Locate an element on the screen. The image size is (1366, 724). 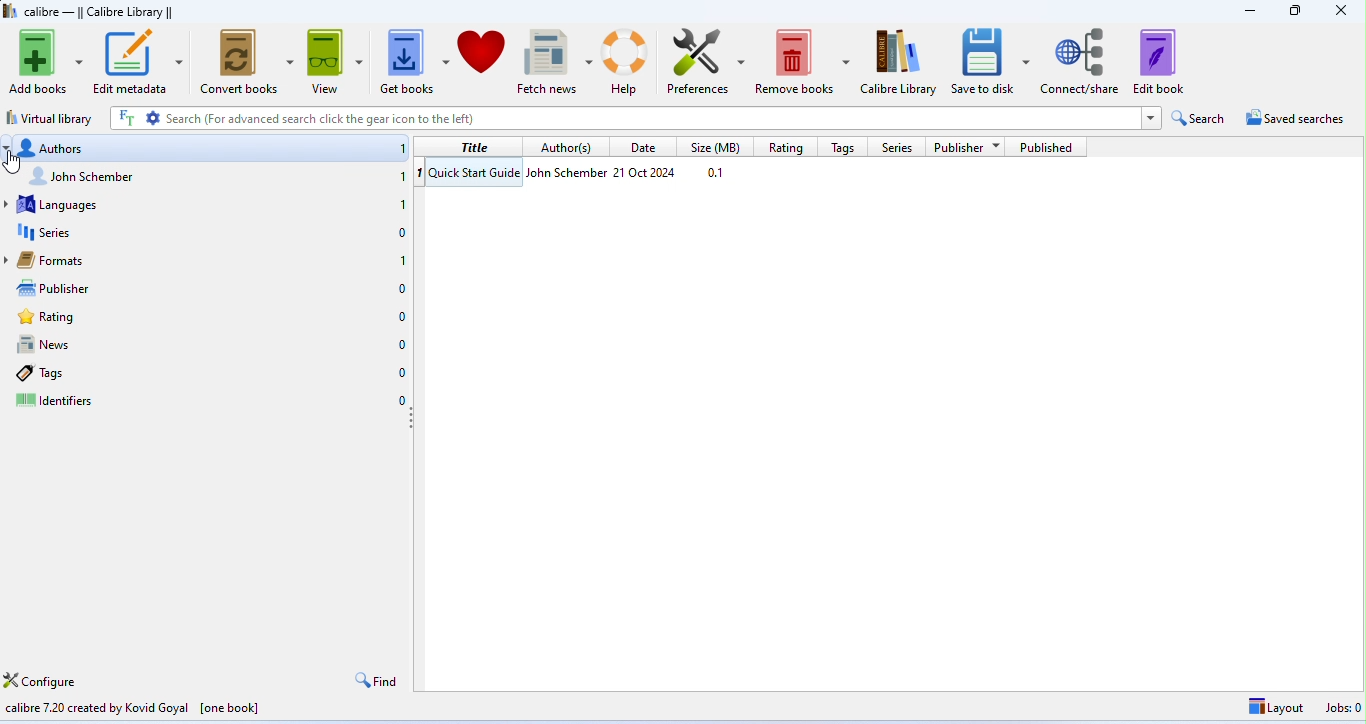
date is located at coordinates (648, 171).